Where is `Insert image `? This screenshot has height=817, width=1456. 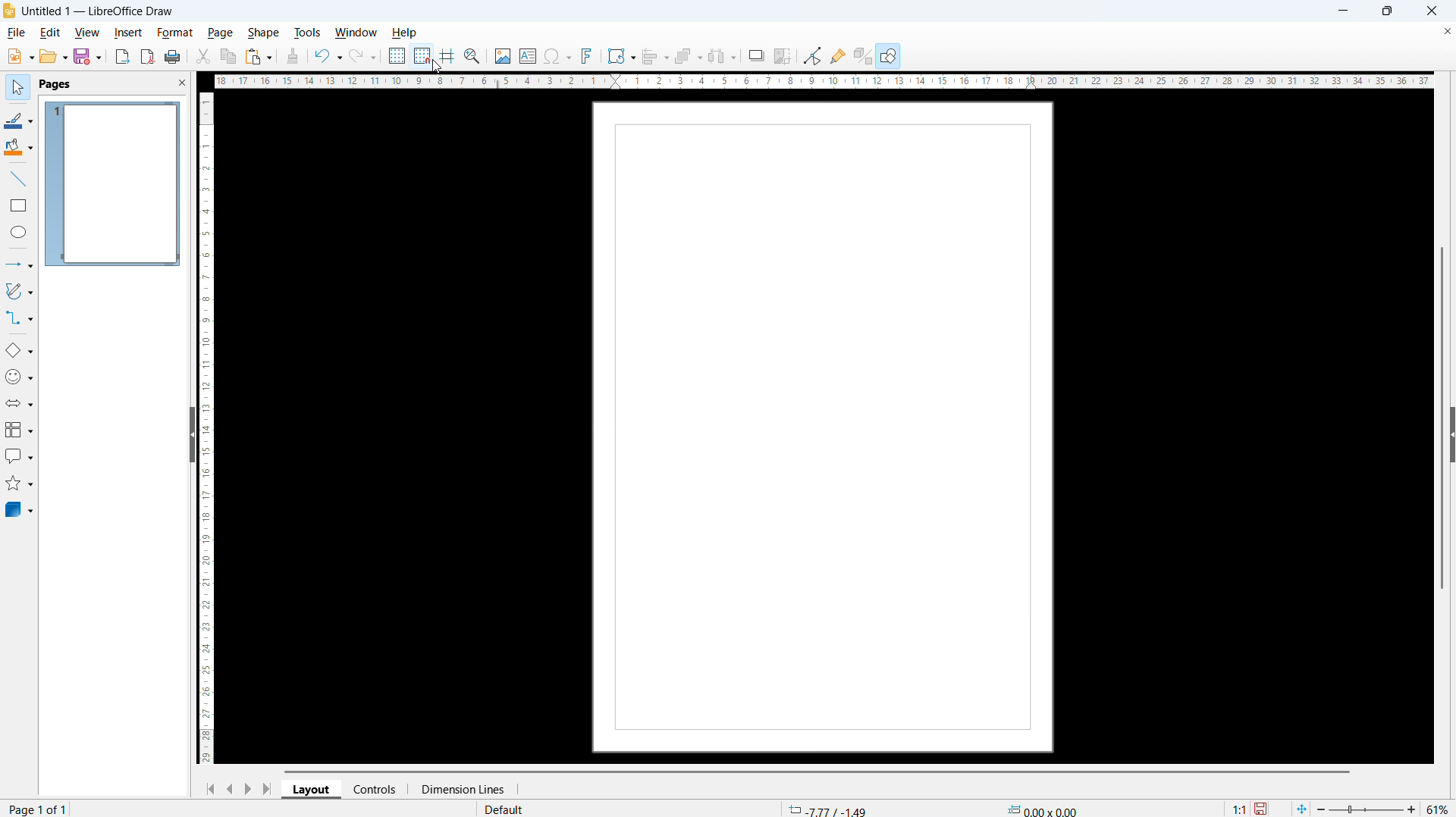
Insert image  is located at coordinates (503, 57).